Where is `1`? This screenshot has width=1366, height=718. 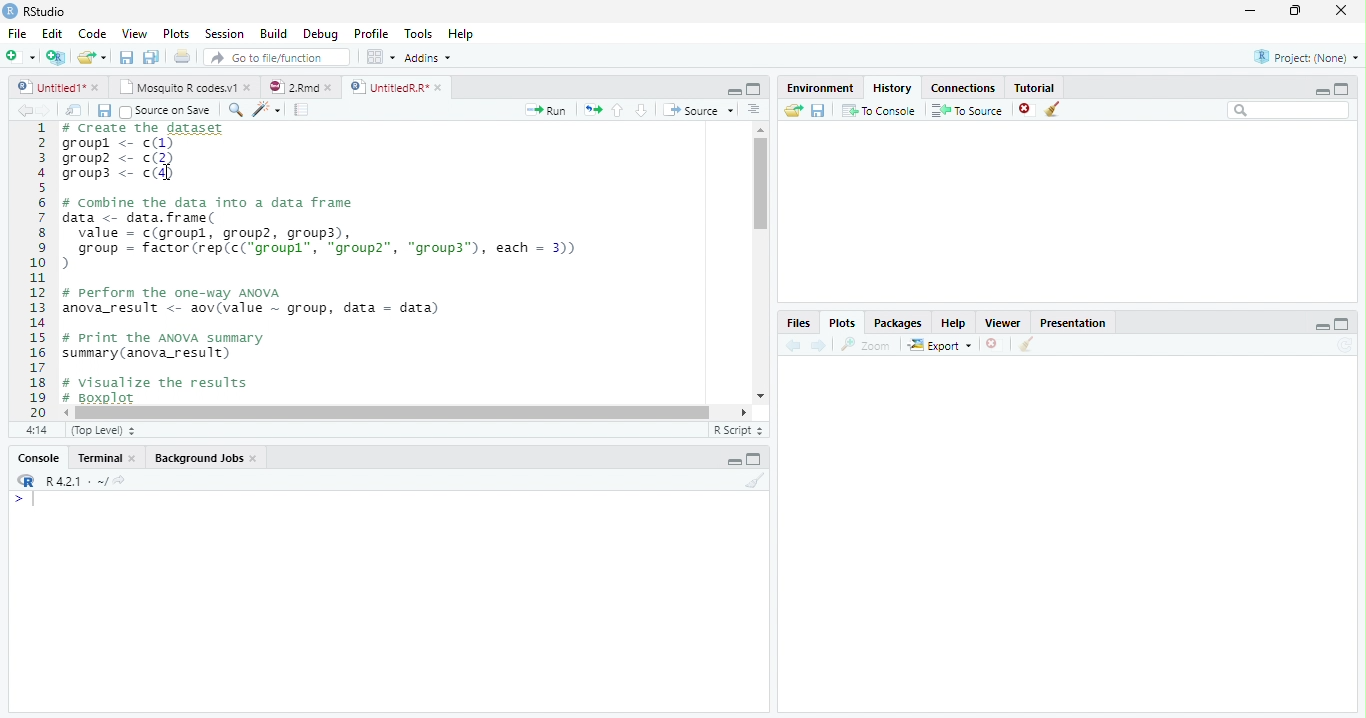
1 is located at coordinates (37, 268).